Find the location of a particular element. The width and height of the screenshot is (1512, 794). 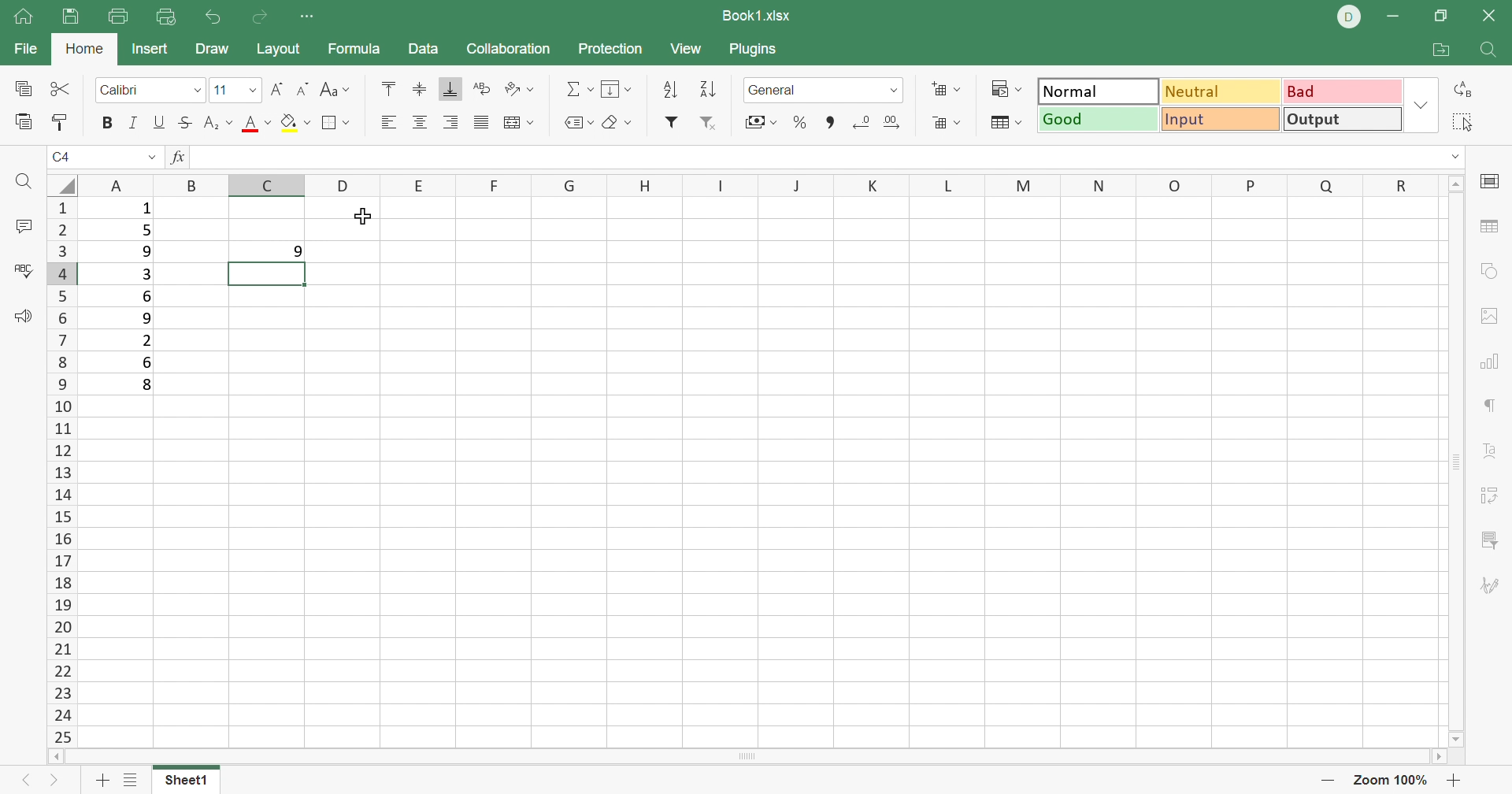

Replace is located at coordinates (1463, 87).